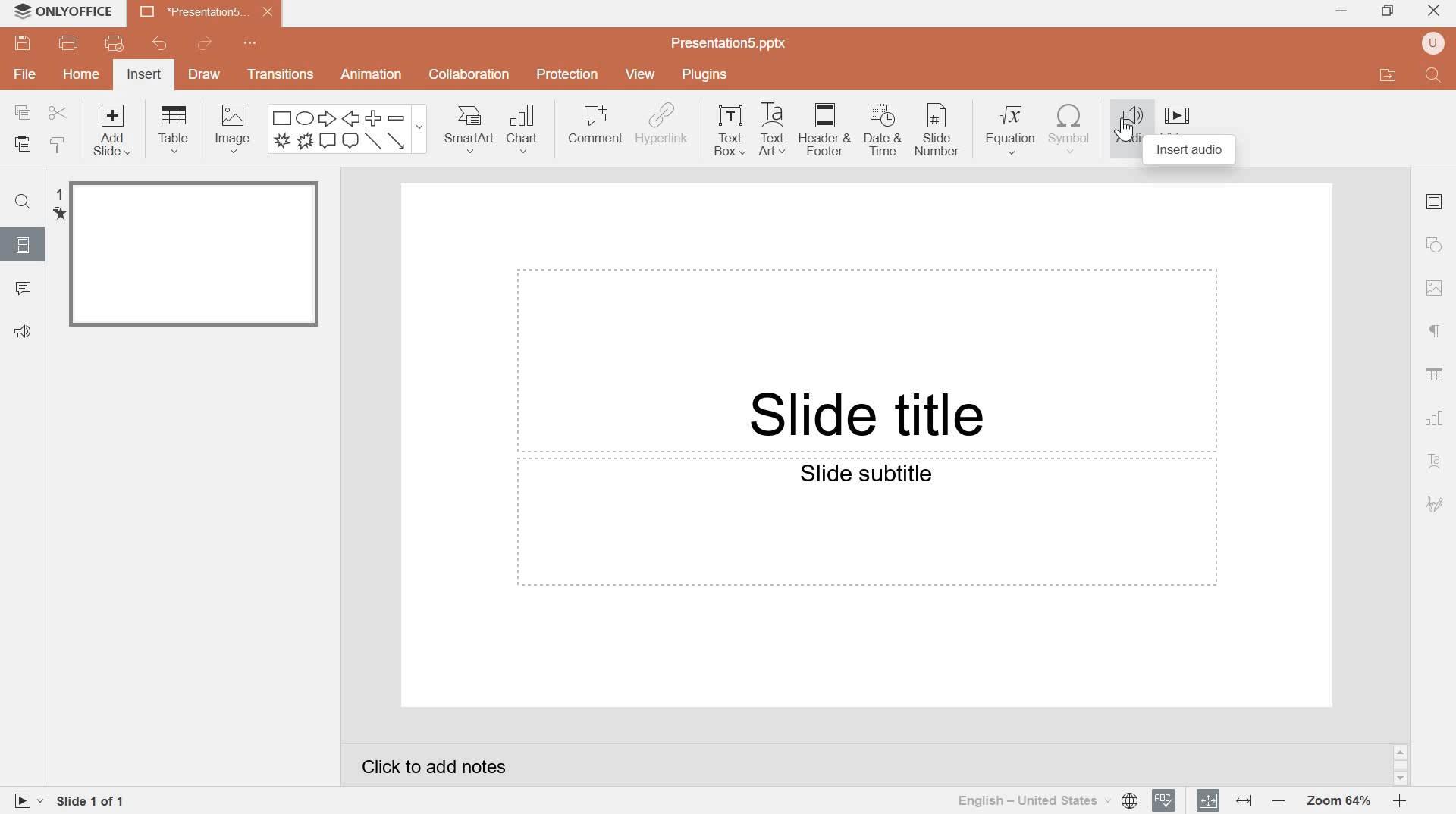 The image size is (1456, 814). What do you see at coordinates (1069, 129) in the screenshot?
I see `symbol` at bounding box center [1069, 129].